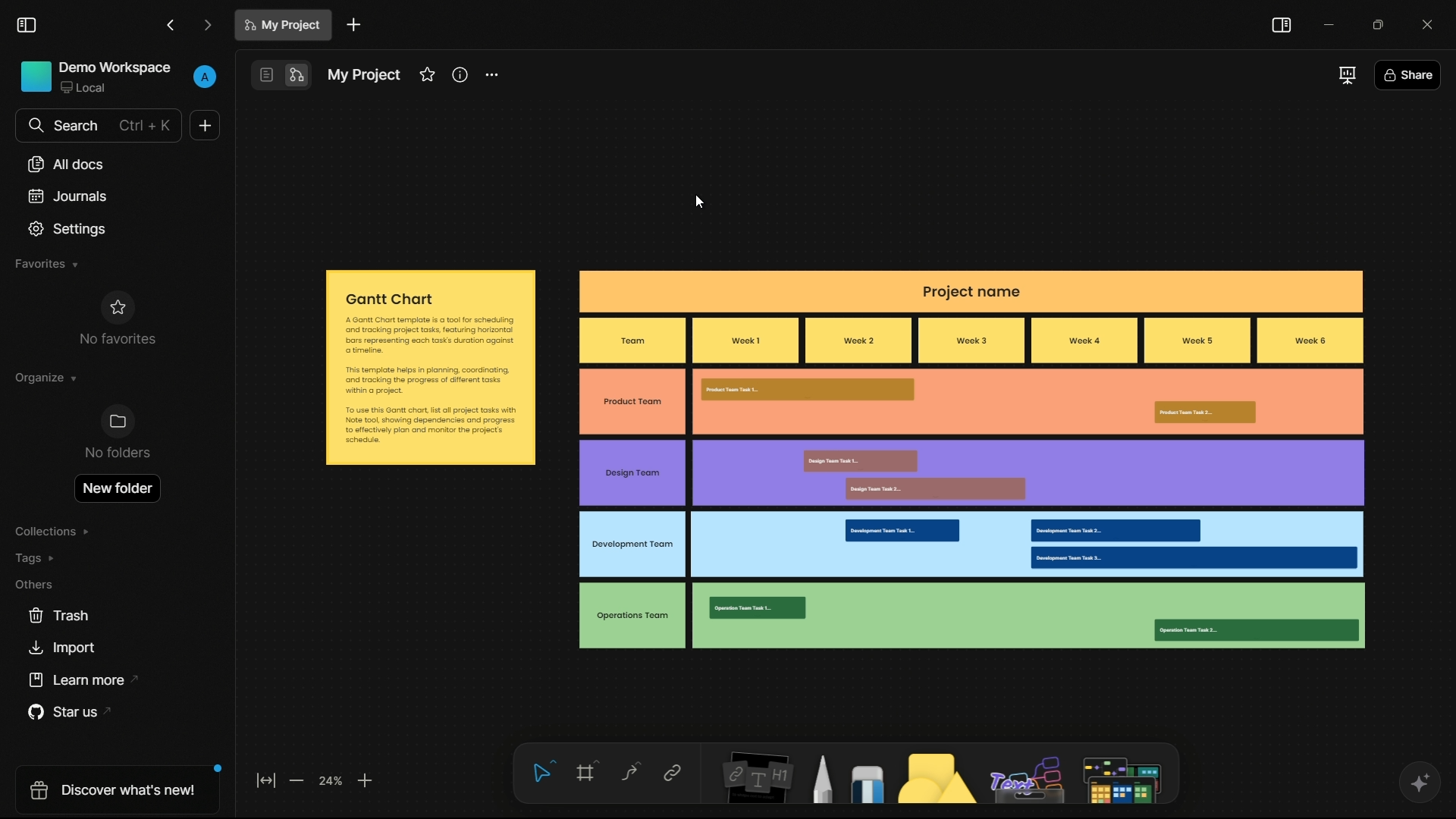 The height and width of the screenshot is (819, 1456). What do you see at coordinates (54, 532) in the screenshot?
I see `collections` at bounding box center [54, 532].